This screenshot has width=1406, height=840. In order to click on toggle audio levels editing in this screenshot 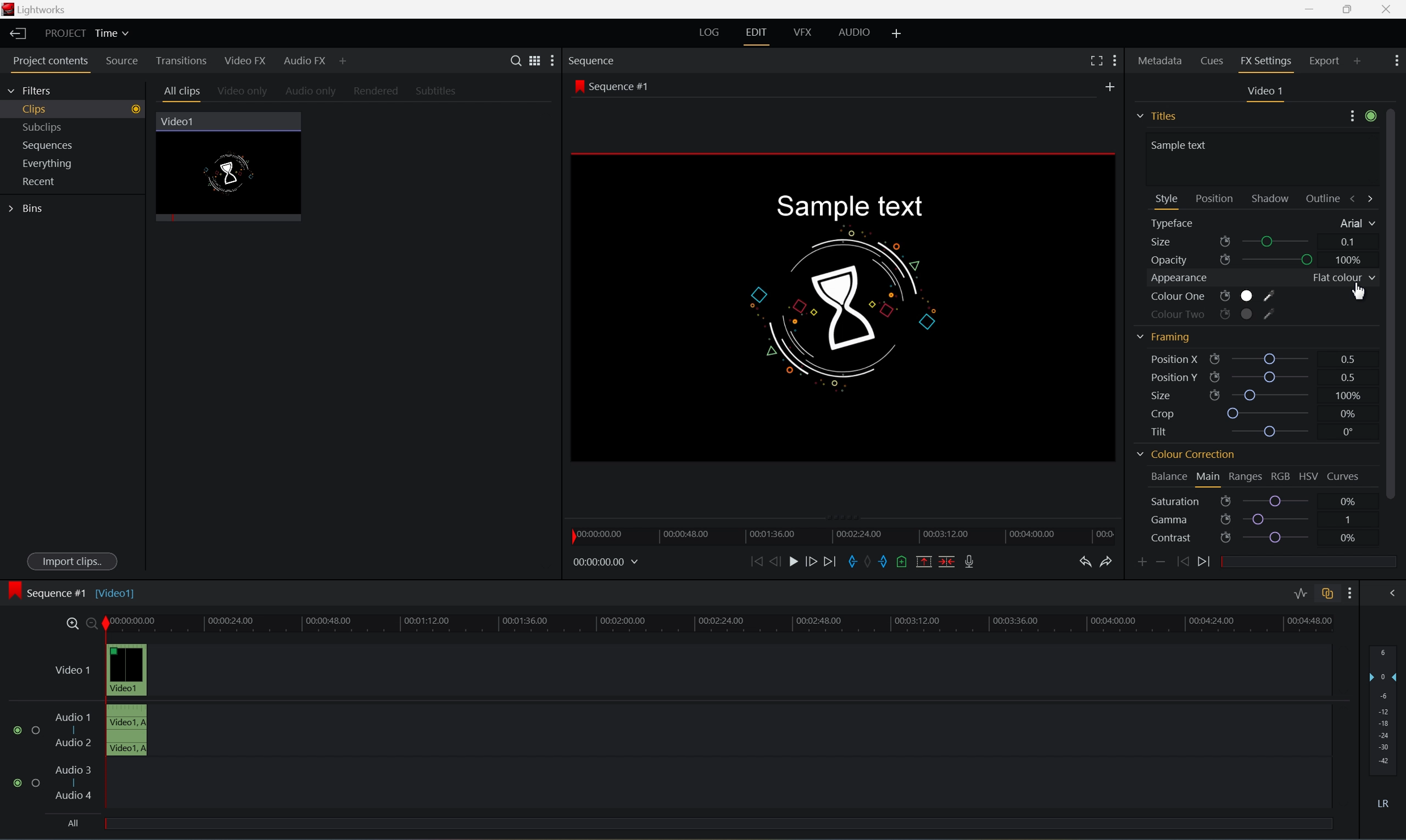, I will do `click(1299, 594)`.